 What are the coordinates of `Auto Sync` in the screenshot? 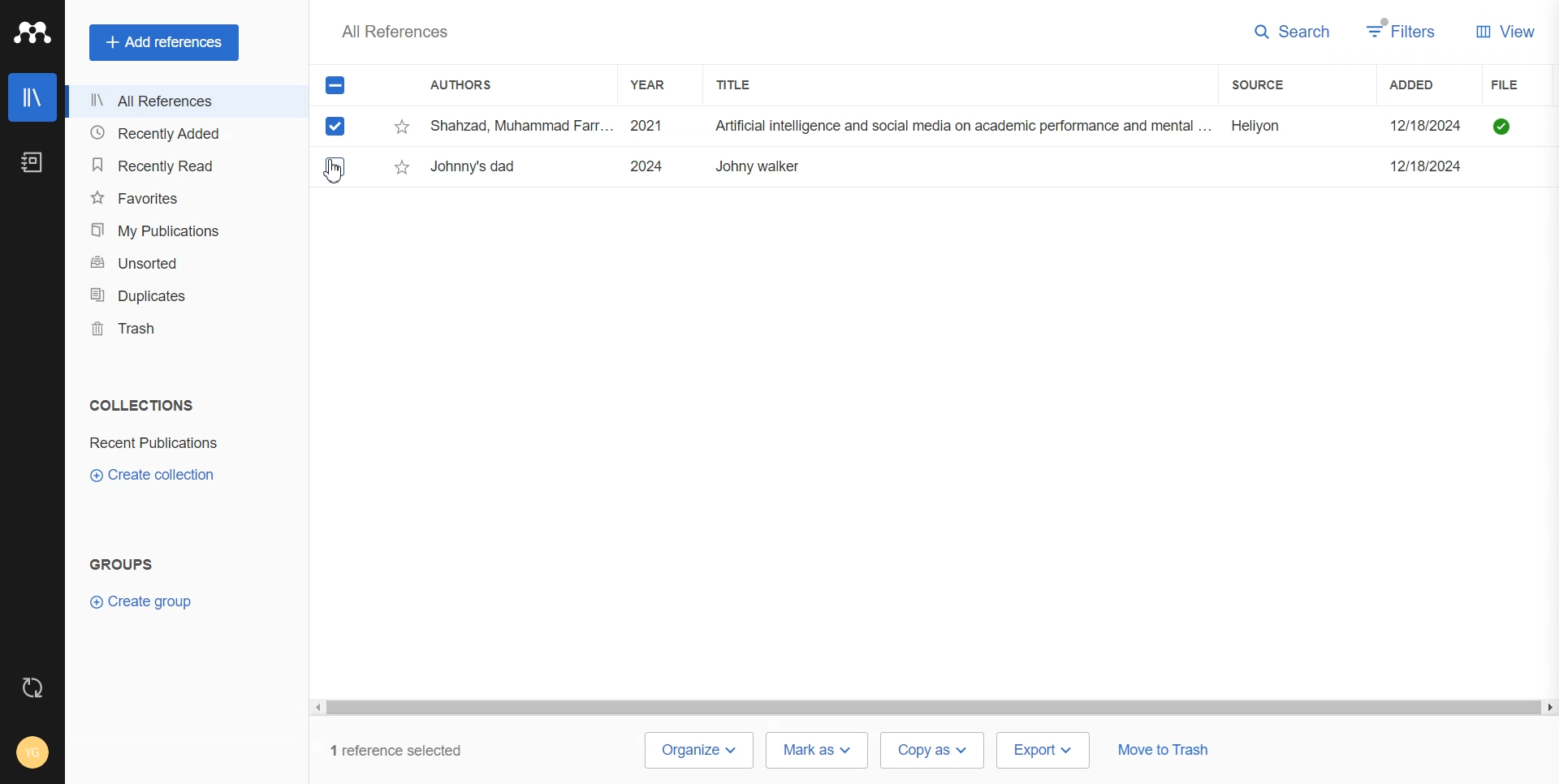 It's located at (33, 687).